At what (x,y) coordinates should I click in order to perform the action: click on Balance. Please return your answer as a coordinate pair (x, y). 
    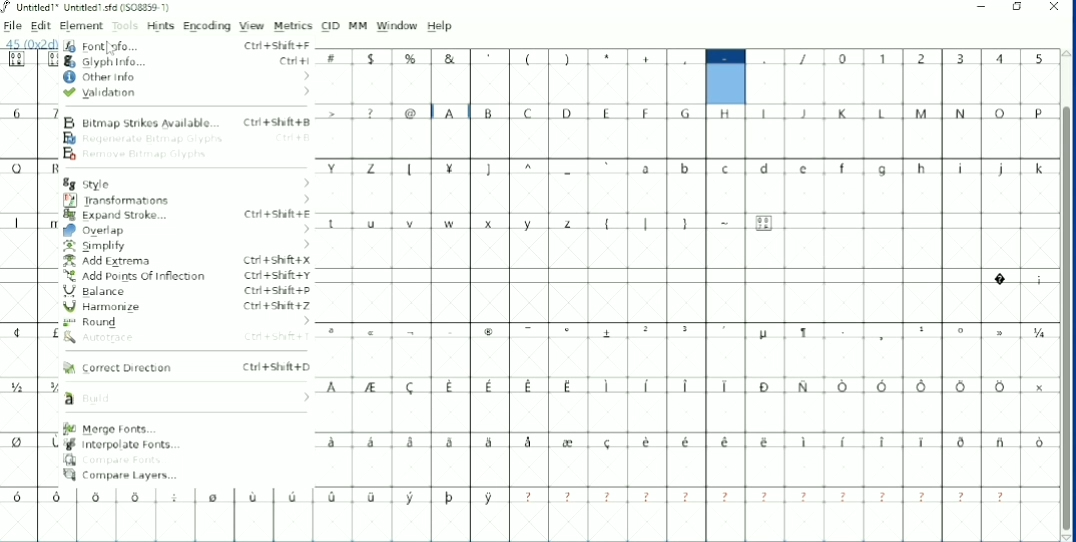
    Looking at the image, I should click on (187, 292).